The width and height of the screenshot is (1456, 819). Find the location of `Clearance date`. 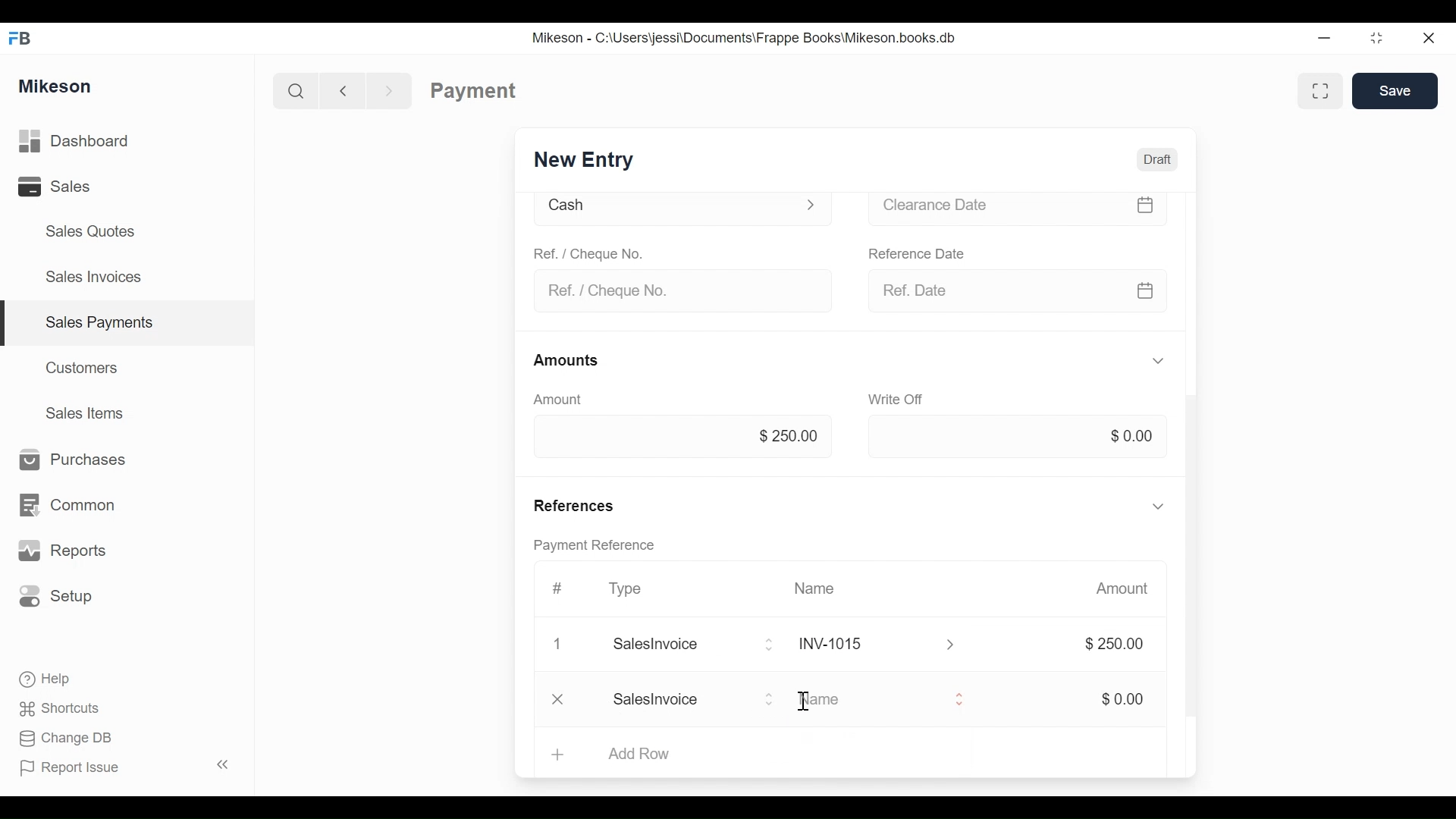

Clearance date is located at coordinates (1015, 209).